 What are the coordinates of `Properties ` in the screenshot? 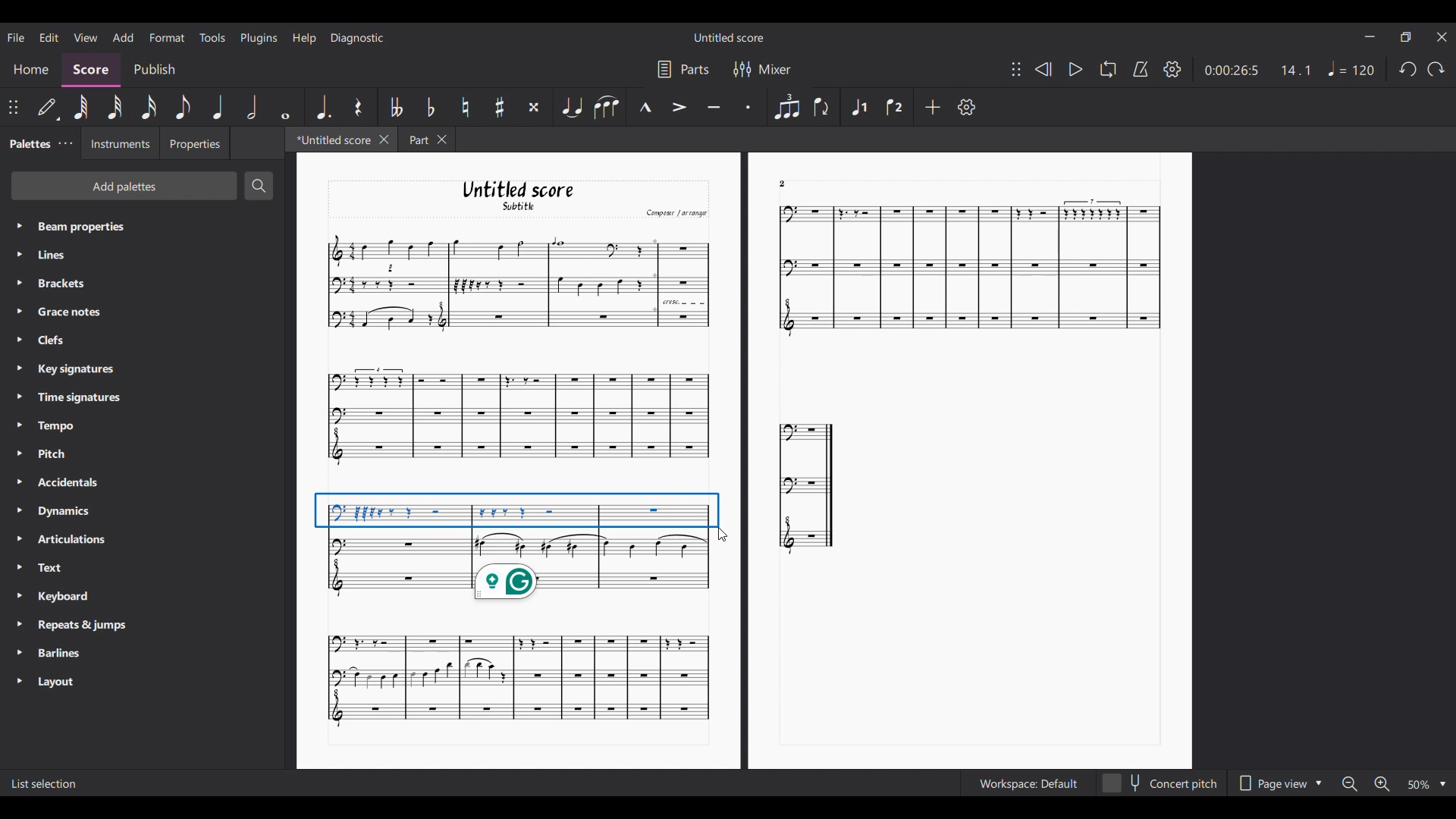 It's located at (194, 143).